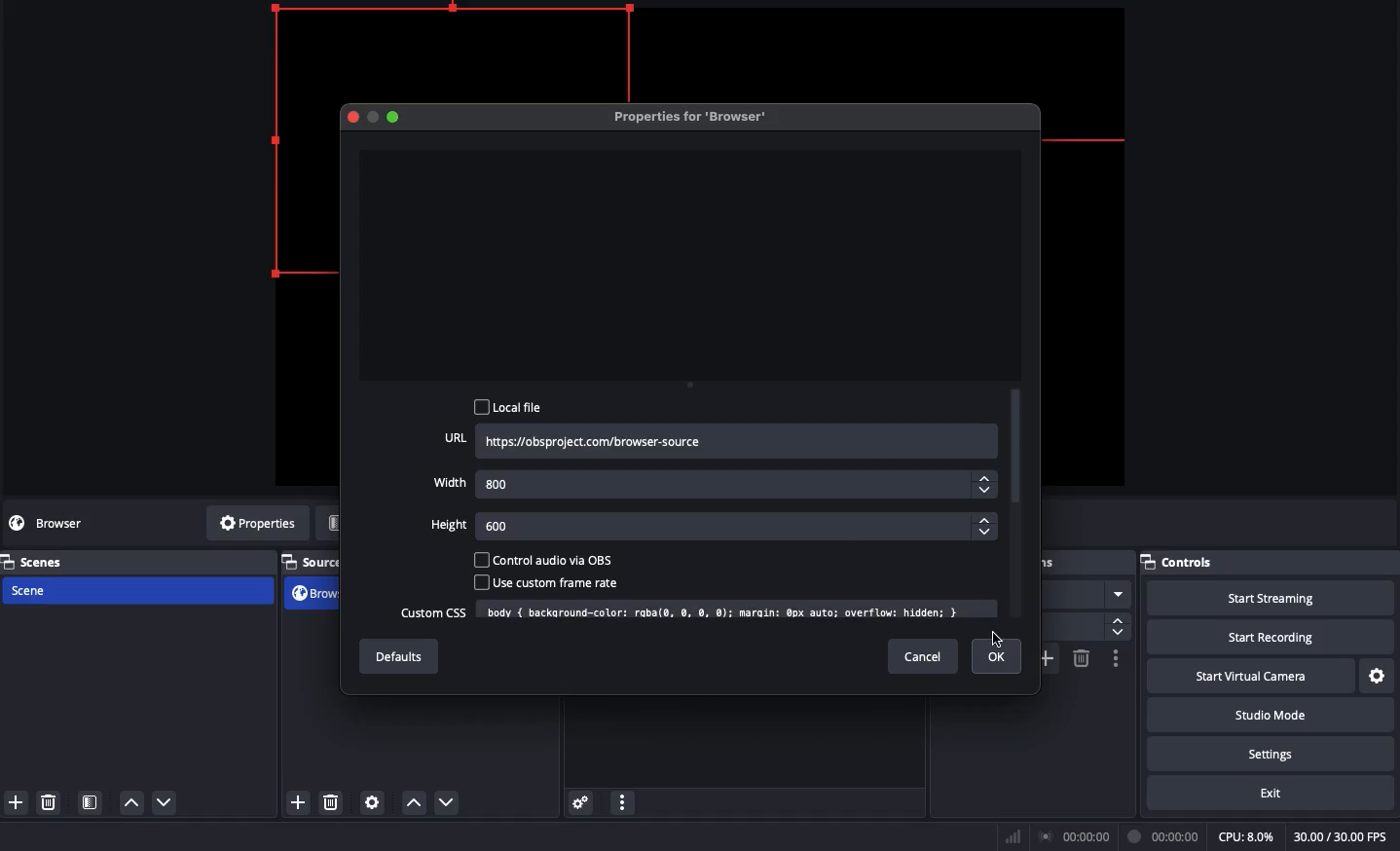 This screenshot has height=851, width=1400. Describe the element at coordinates (249, 524) in the screenshot. I see `Properties` at that location.